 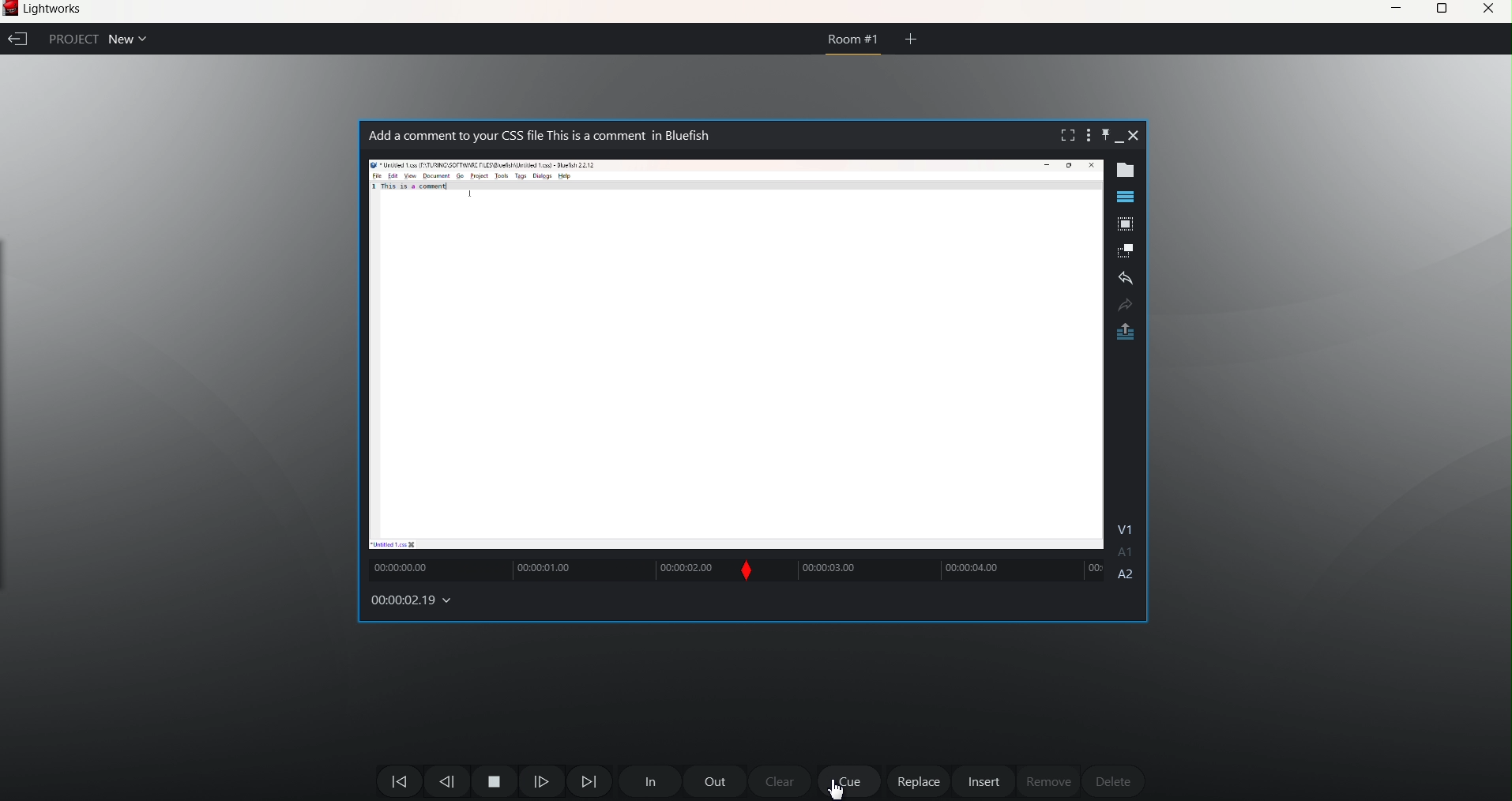 I want to click on out, so click(x=715, y=780).